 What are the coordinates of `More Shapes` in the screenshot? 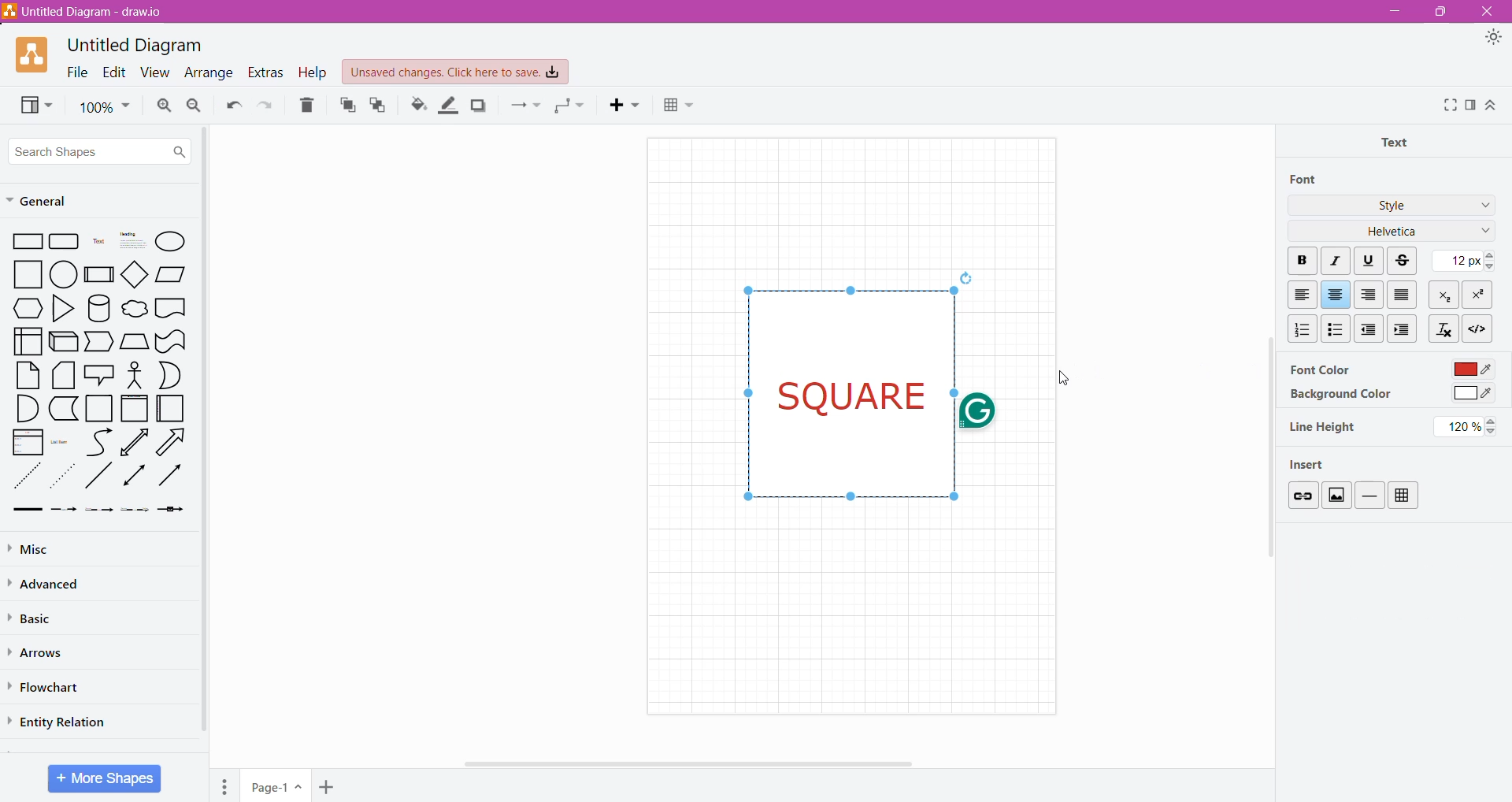 It's located at (106, 778).